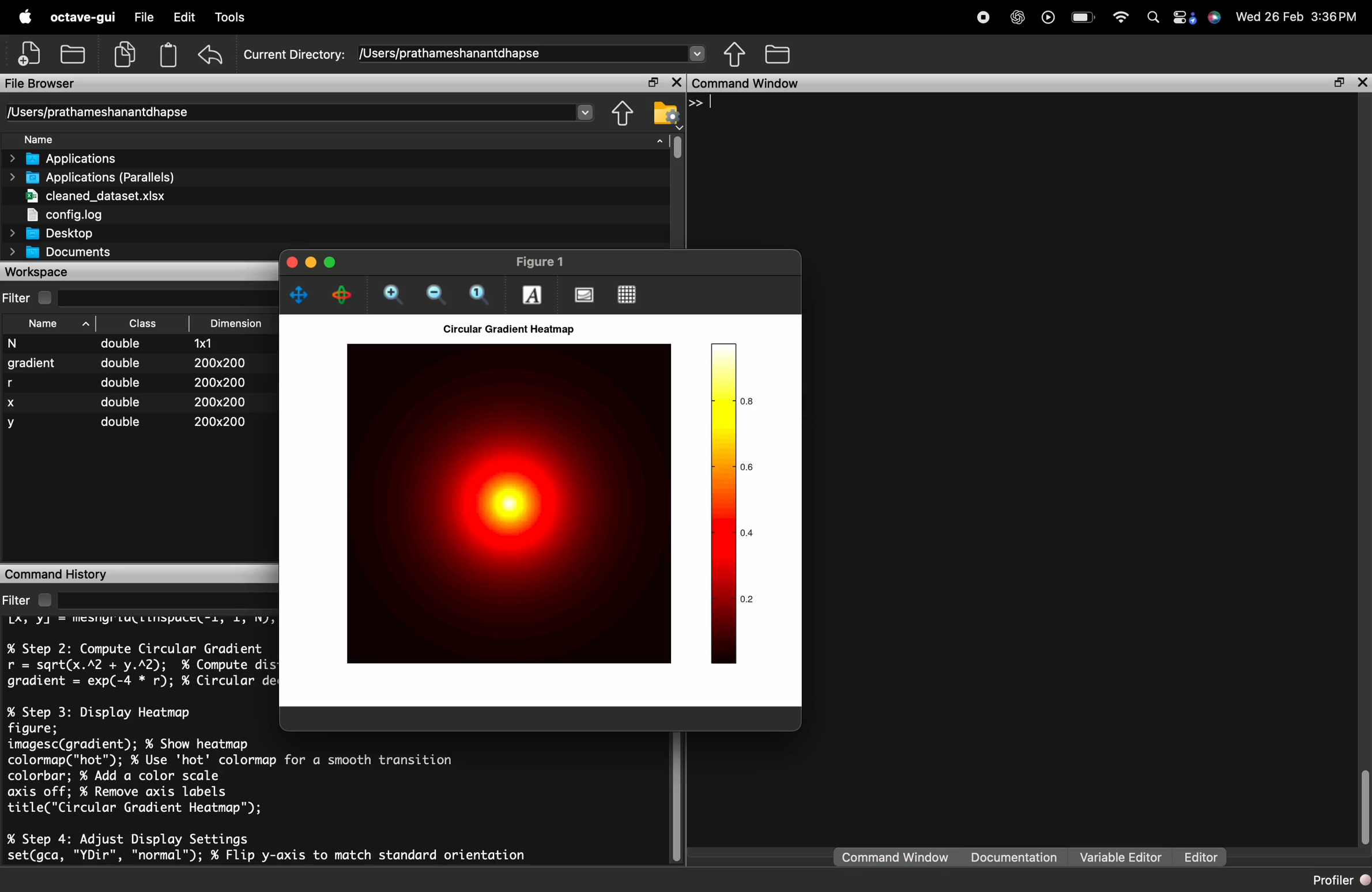  What do you see at coordinates (90, 177) in the screenshot?
I see `Applications (Parallels)` at bounding box center [90, 177].